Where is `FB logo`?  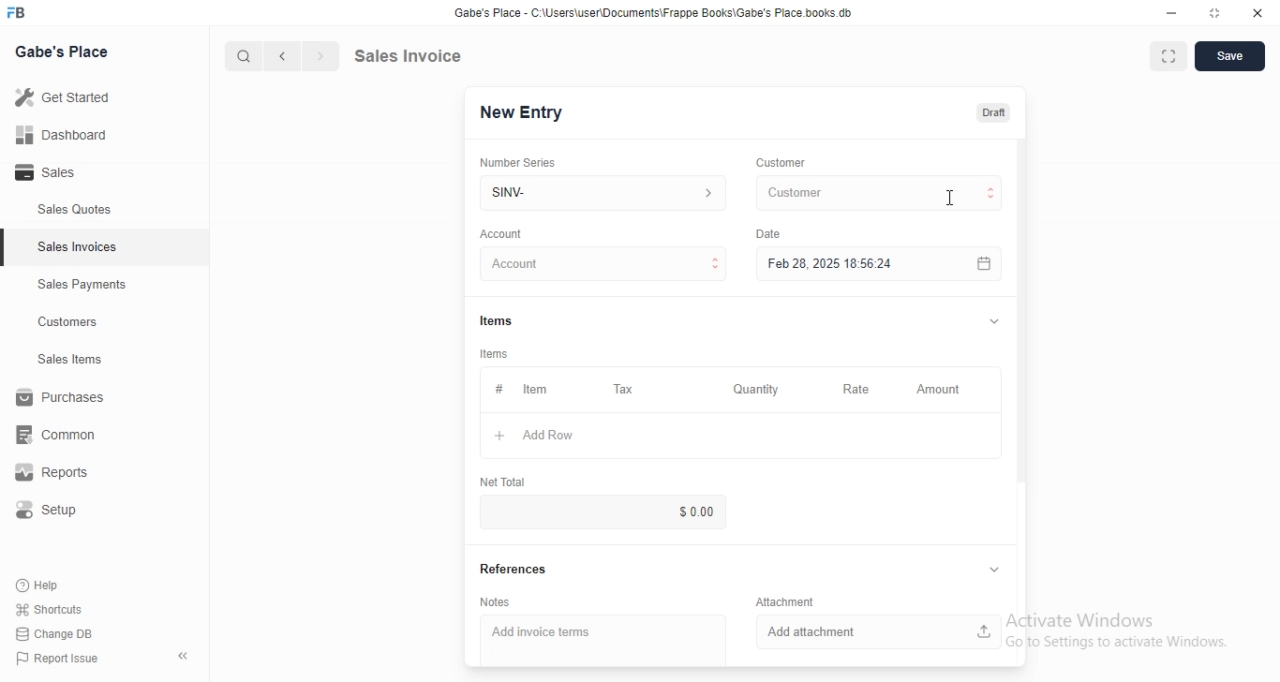 FB logo is located at coordinates (20, 13).